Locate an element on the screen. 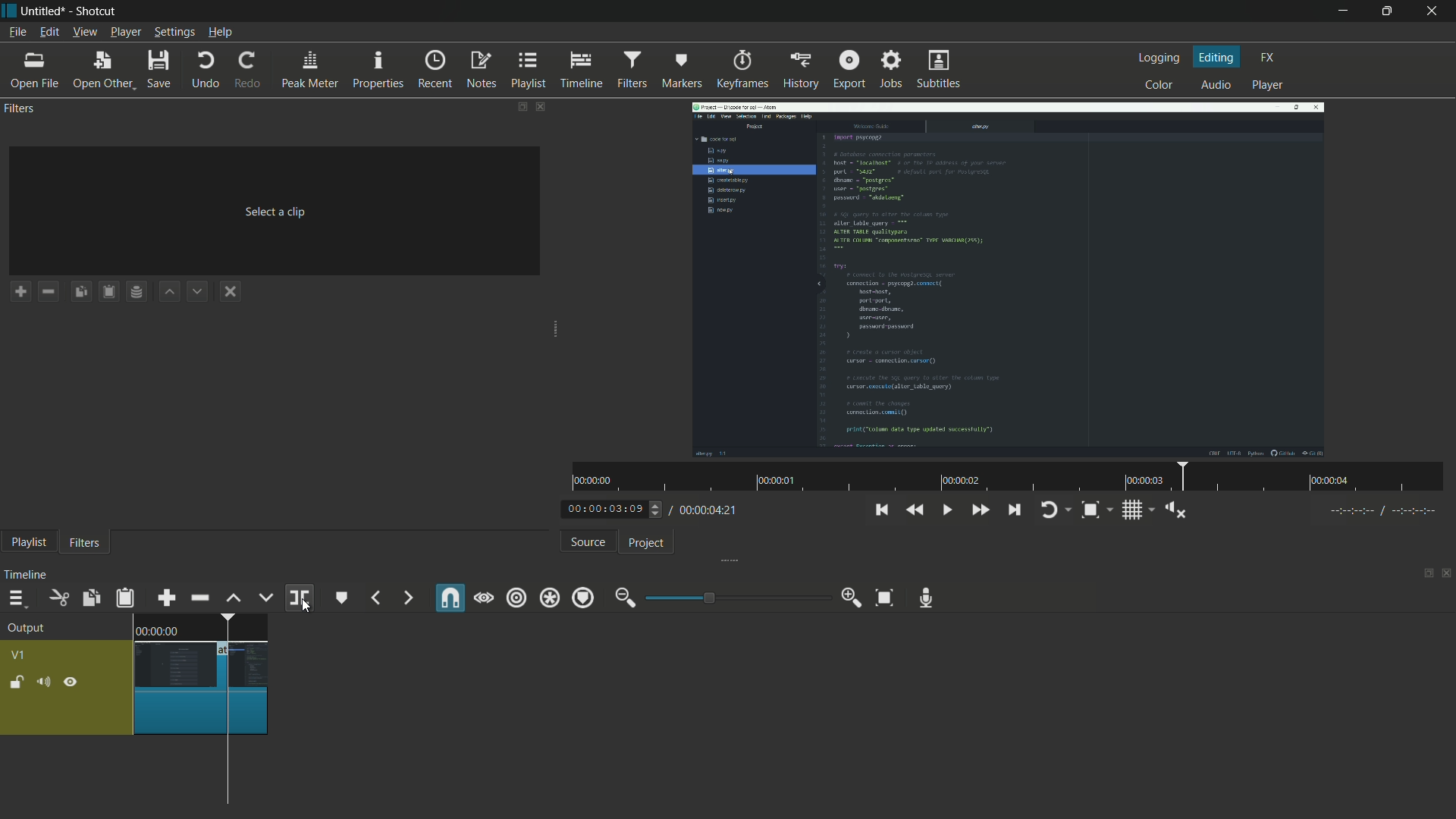  change layout is located at coordinates (519, 107).